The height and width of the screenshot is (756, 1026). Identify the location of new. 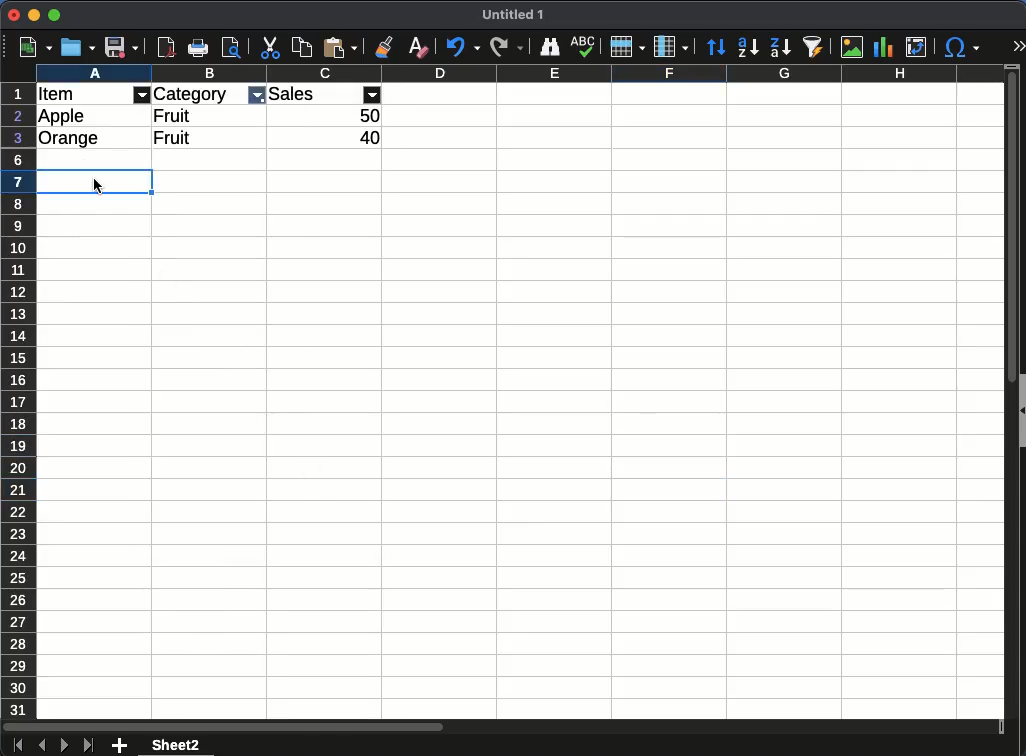
(36, 47).